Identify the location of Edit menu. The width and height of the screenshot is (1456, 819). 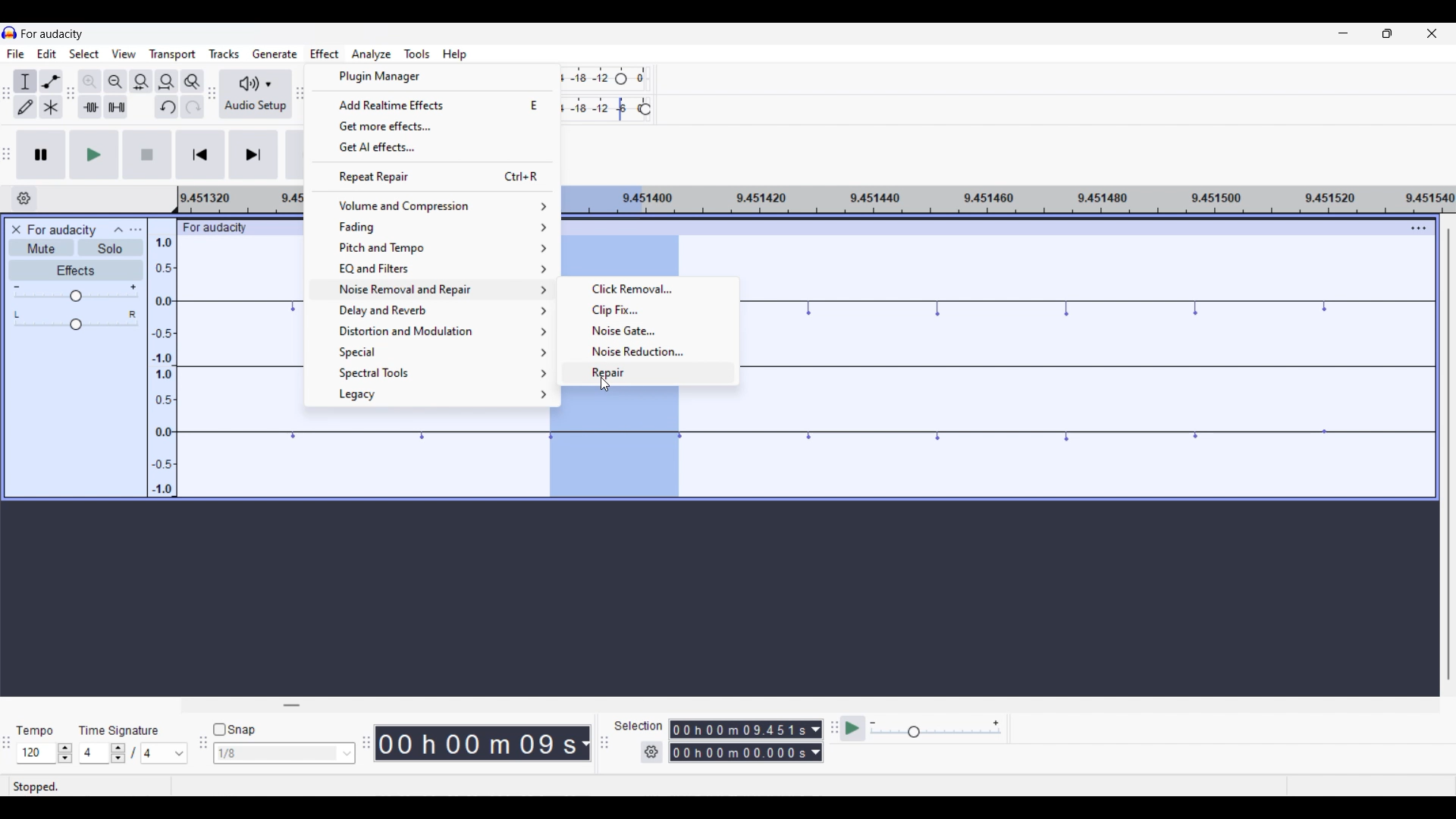
(46, 53).